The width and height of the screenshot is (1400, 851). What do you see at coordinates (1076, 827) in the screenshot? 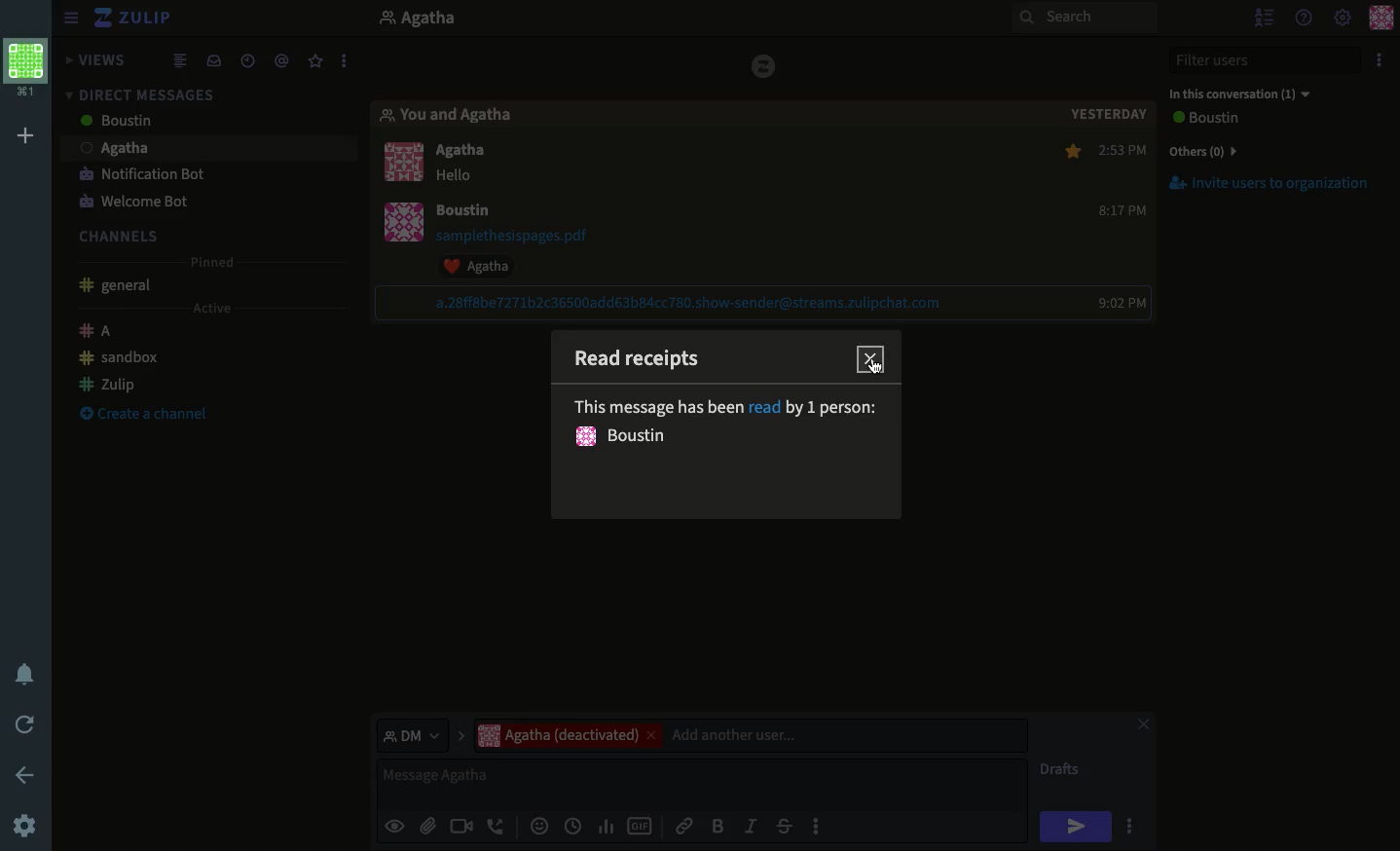
I see `Send` at bounding box center [1076, 827].